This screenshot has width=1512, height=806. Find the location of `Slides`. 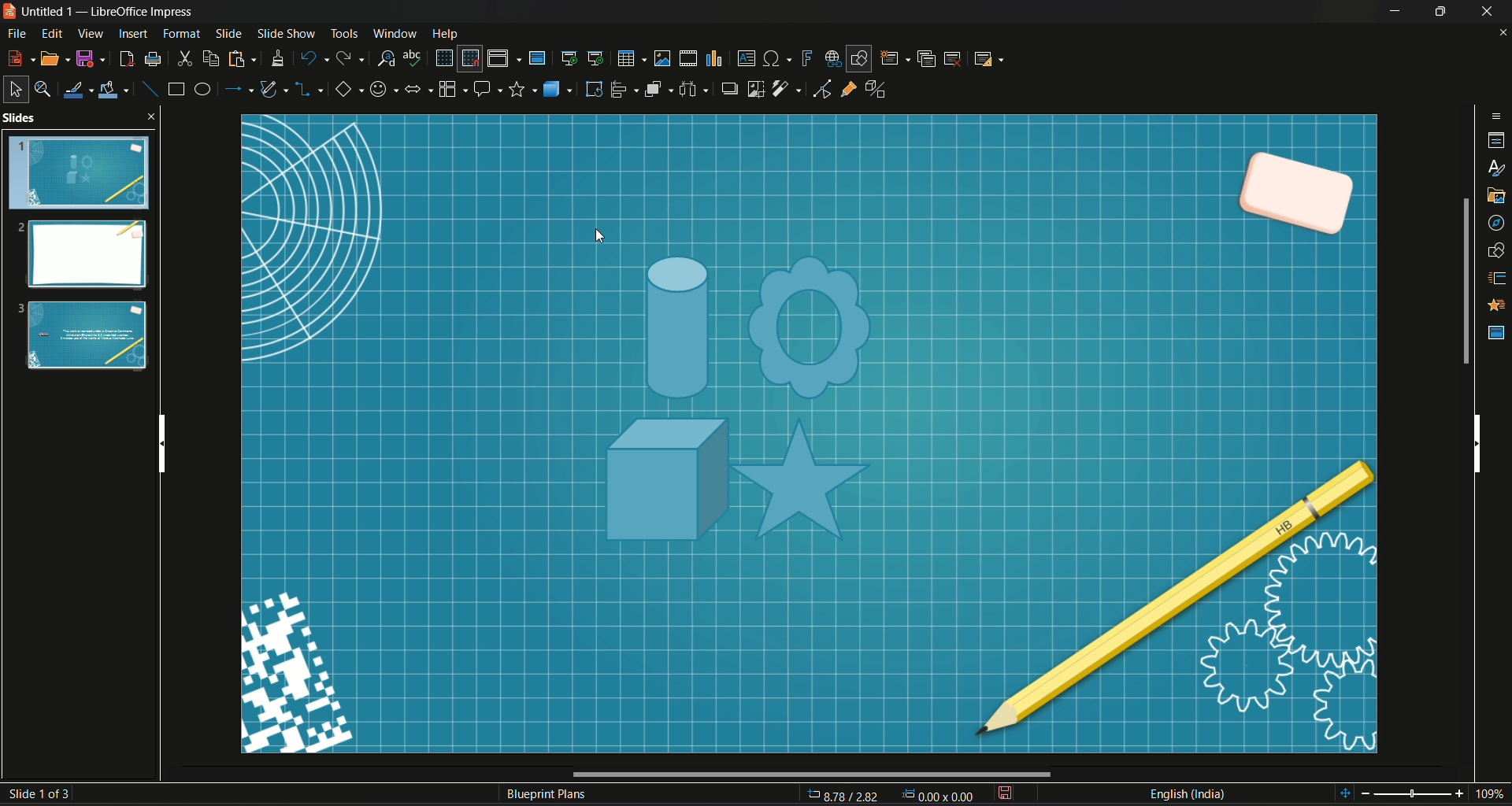

Slides is located at coordinates (80, 246).